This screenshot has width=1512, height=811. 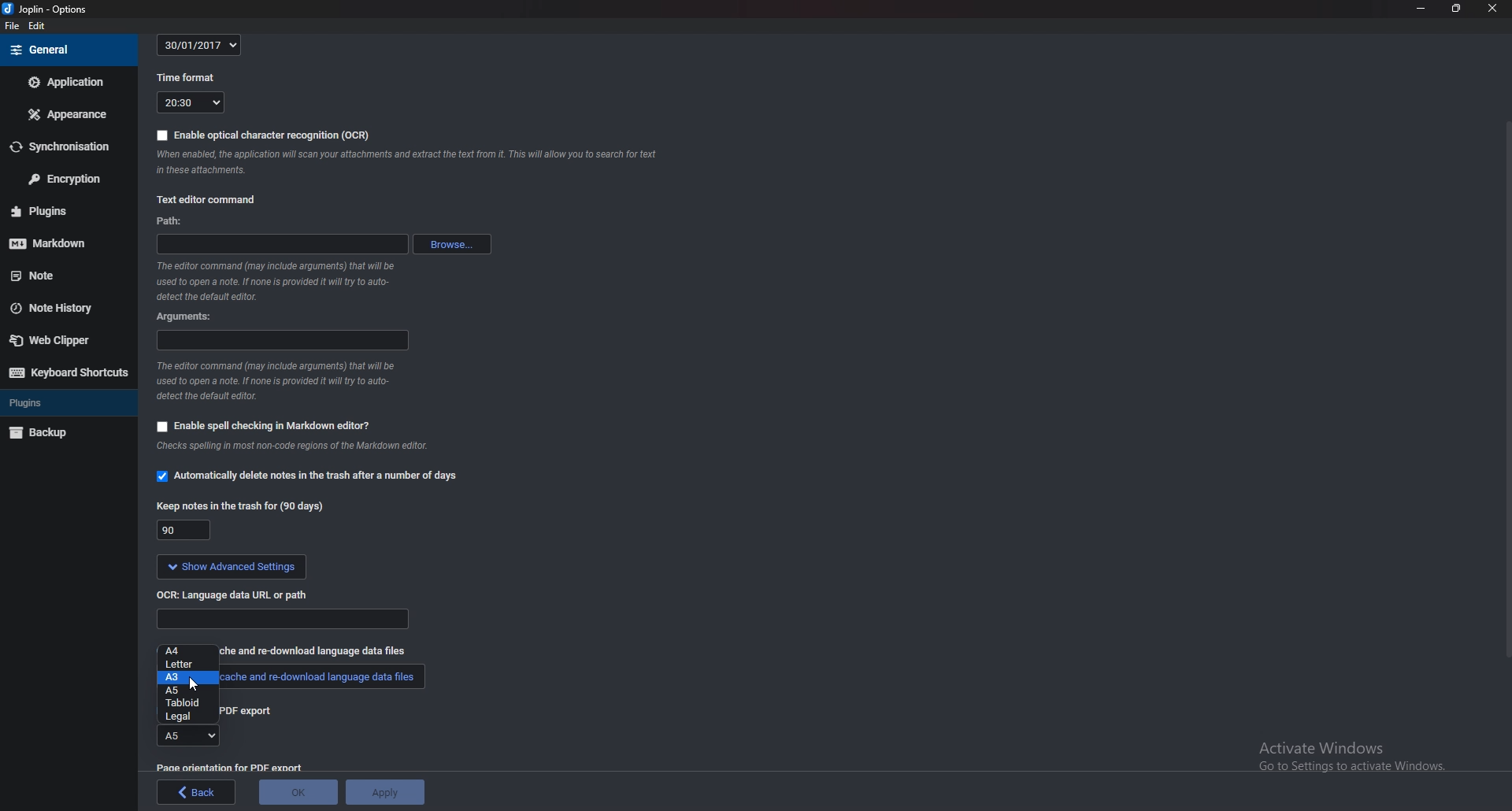 What do you see at coordinates (299, 791) in the screenshot?
I see `ok` at bounding box center [299, 791].